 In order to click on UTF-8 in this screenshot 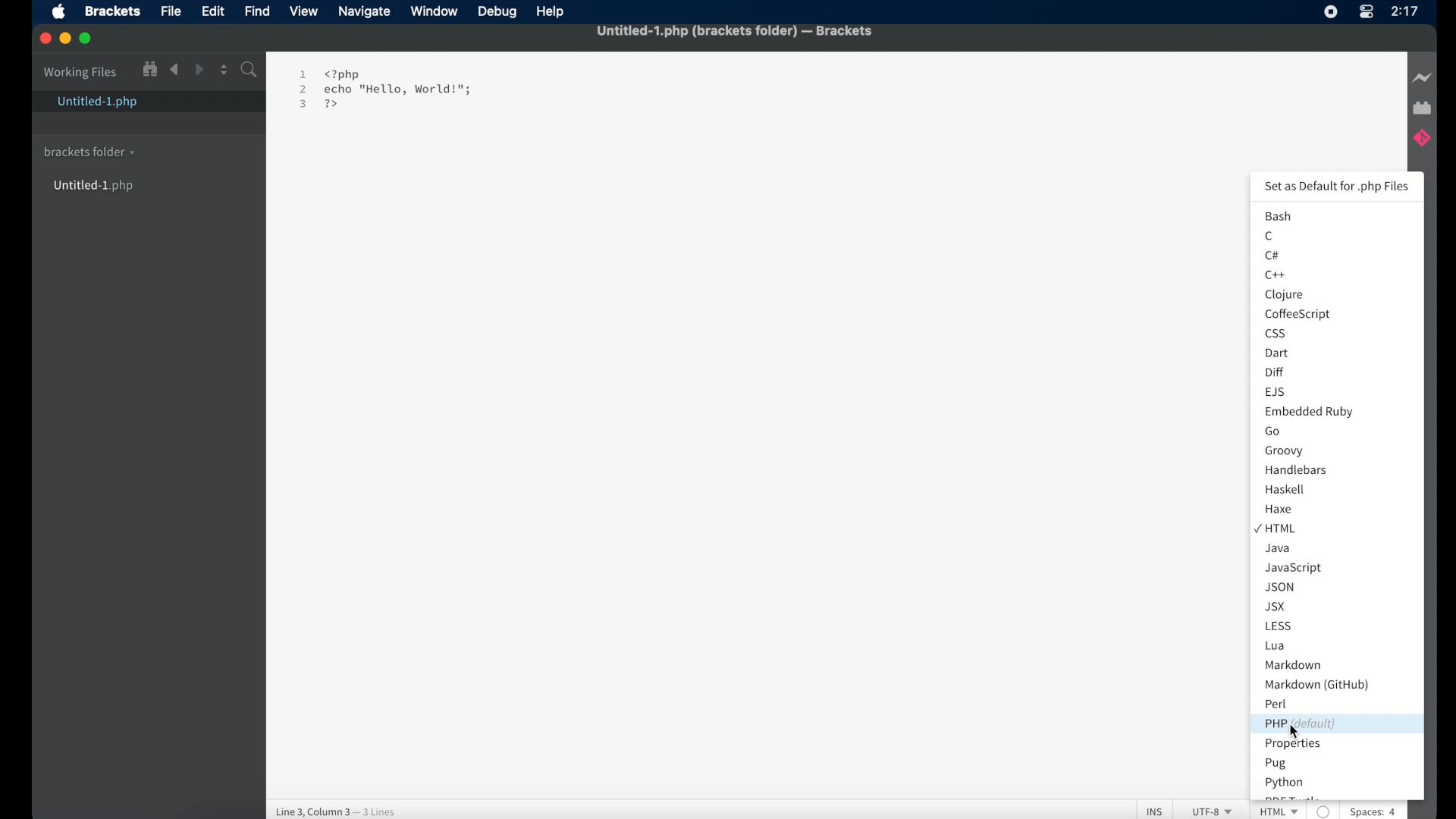, I will do `click(1211, 811)`.